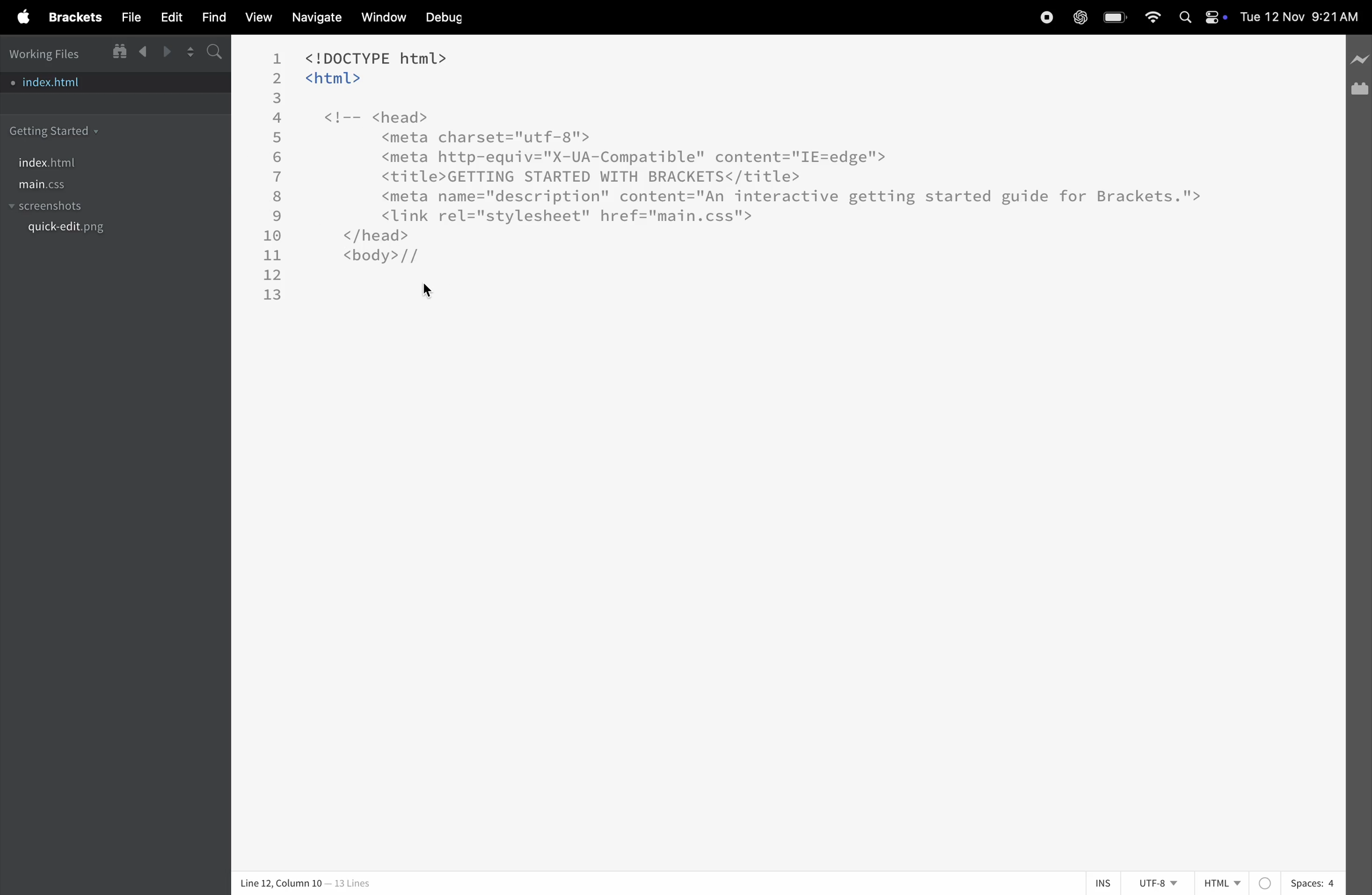 The width and height of the screenshot is (1372, 895). Describe the element at coordinates (209, 17) in the screenshot. I see `find` at that location.